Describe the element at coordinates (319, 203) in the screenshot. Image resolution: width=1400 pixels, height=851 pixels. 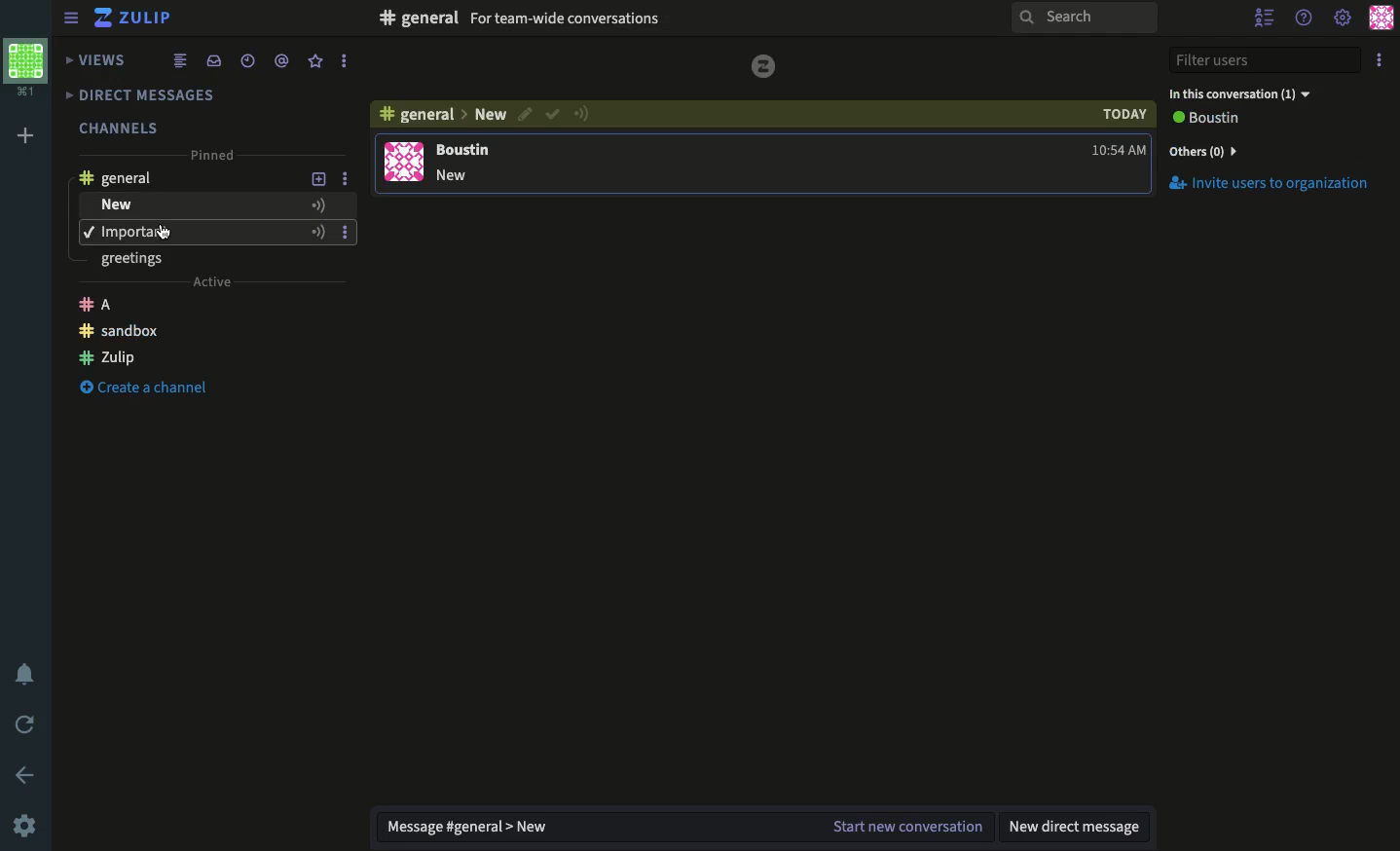
I see `Add` at that location.